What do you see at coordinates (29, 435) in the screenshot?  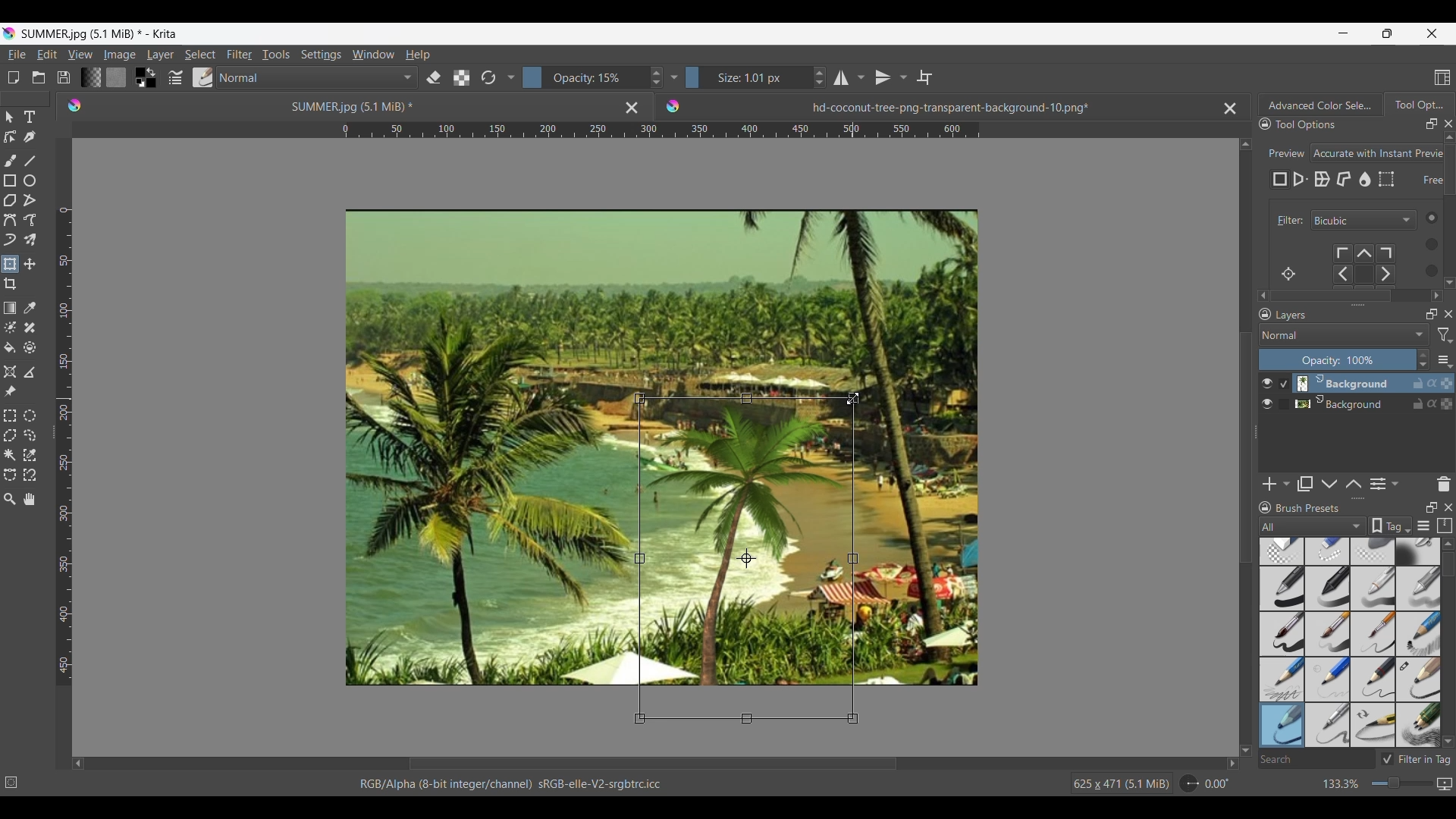 I see `Freehand selection tool` at bounding box center [29, 435].